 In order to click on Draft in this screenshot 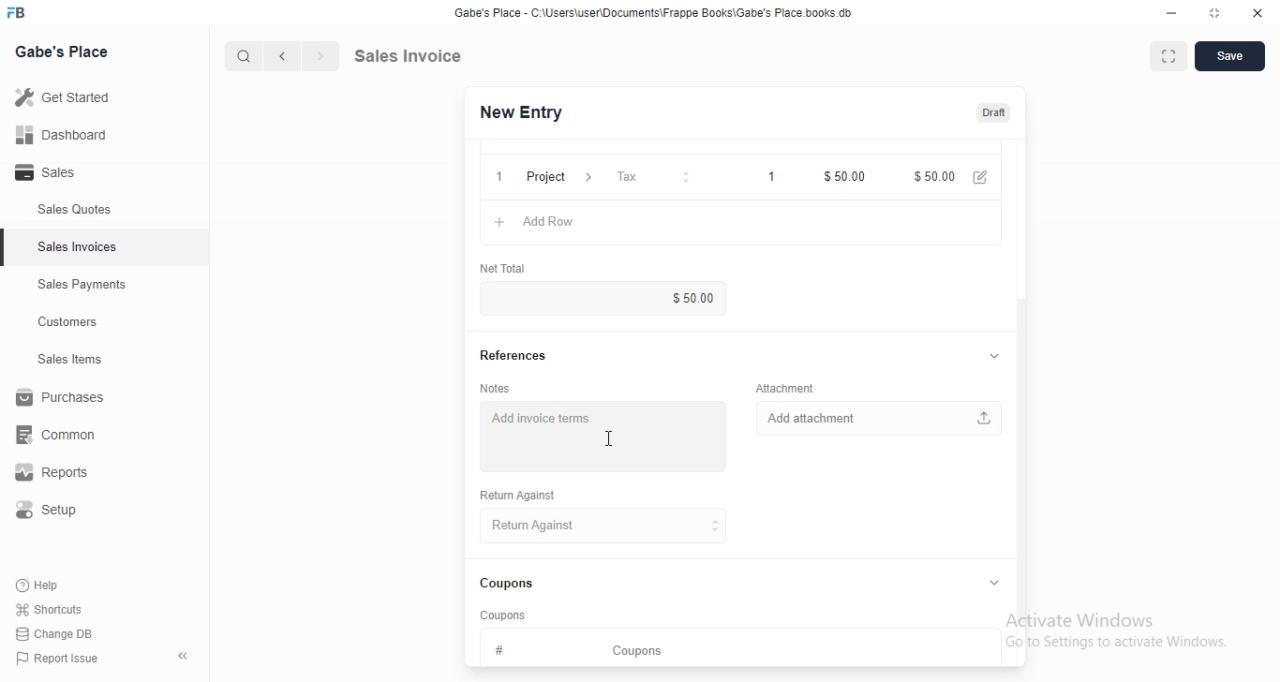, I will do `click(995, 113)`.